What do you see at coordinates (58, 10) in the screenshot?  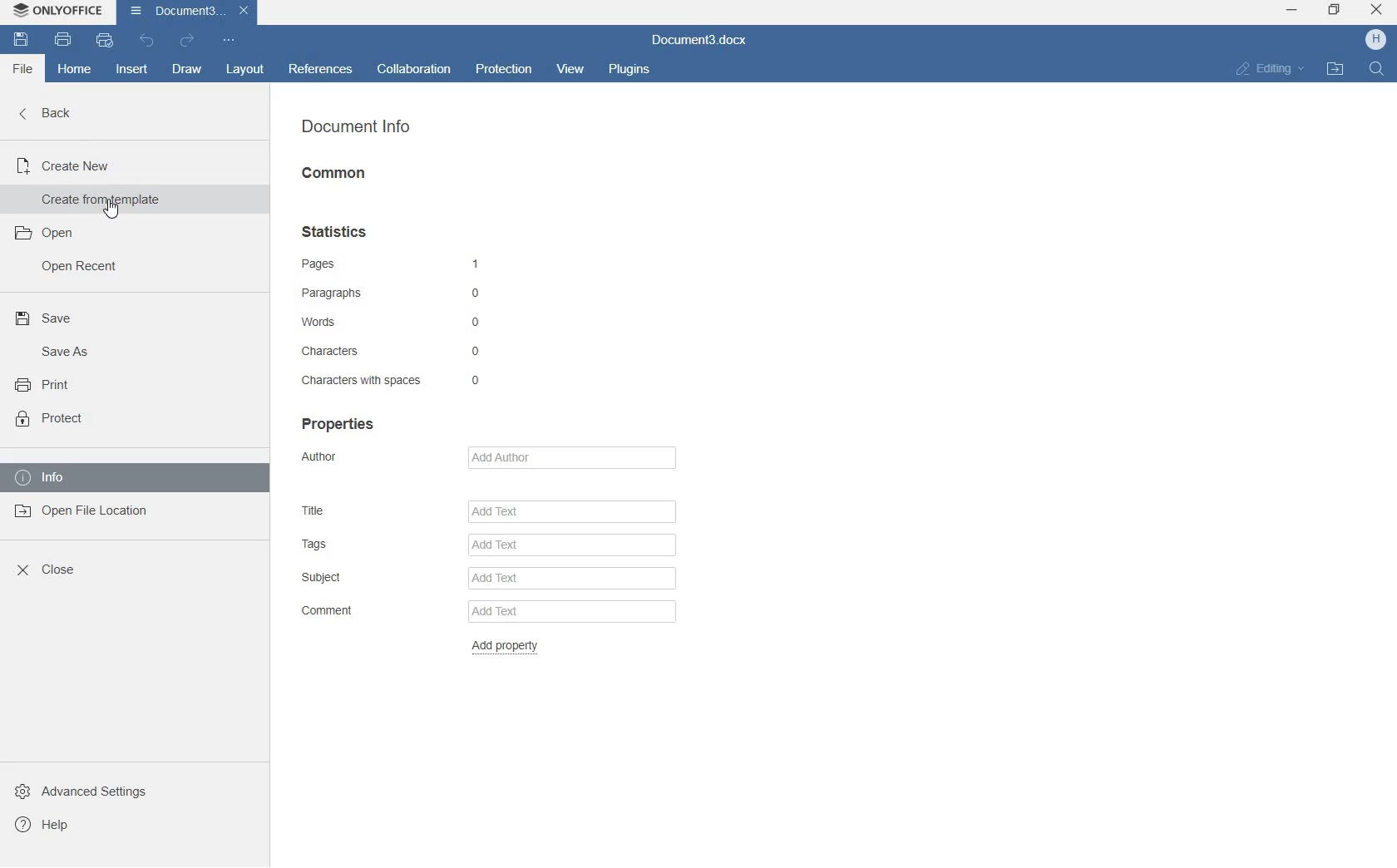 I see `onlyoffice` at bounding box center [58, 10].